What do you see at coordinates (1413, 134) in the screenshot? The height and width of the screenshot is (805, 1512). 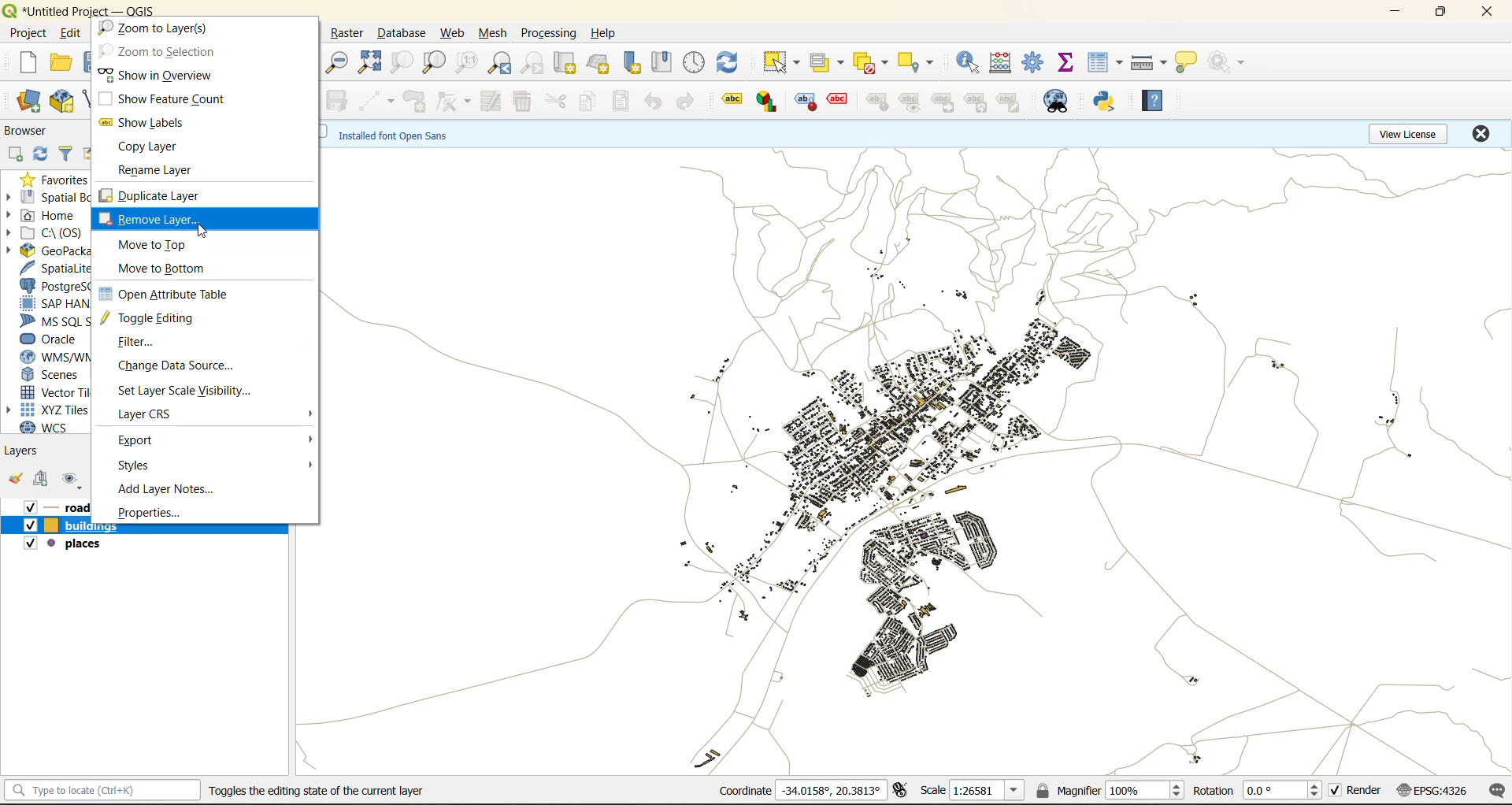 I see `view license` at bounding box center [1413, 134].